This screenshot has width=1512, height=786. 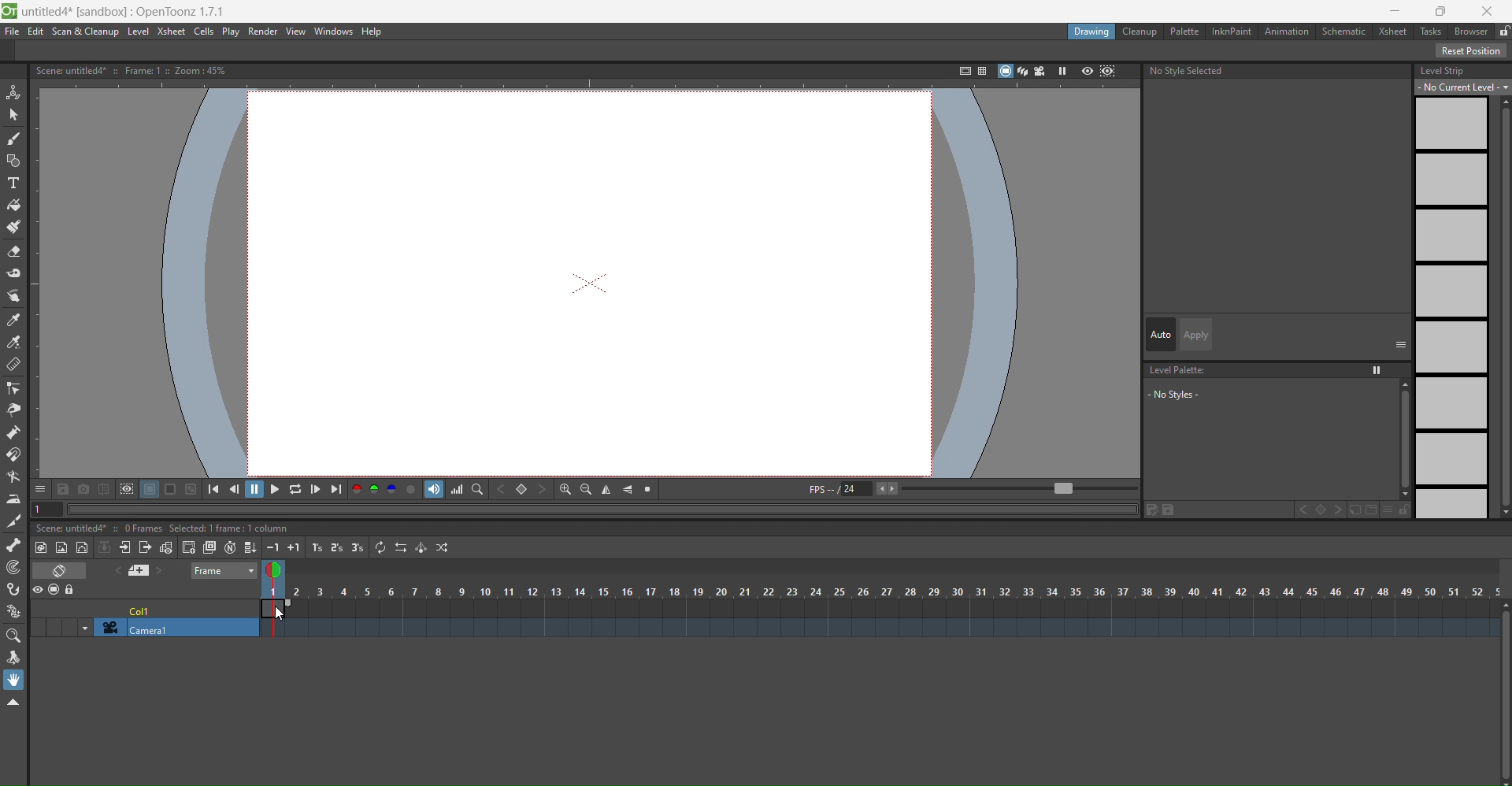 I want to click on scan & cleanup, so click(x=83, y=32).